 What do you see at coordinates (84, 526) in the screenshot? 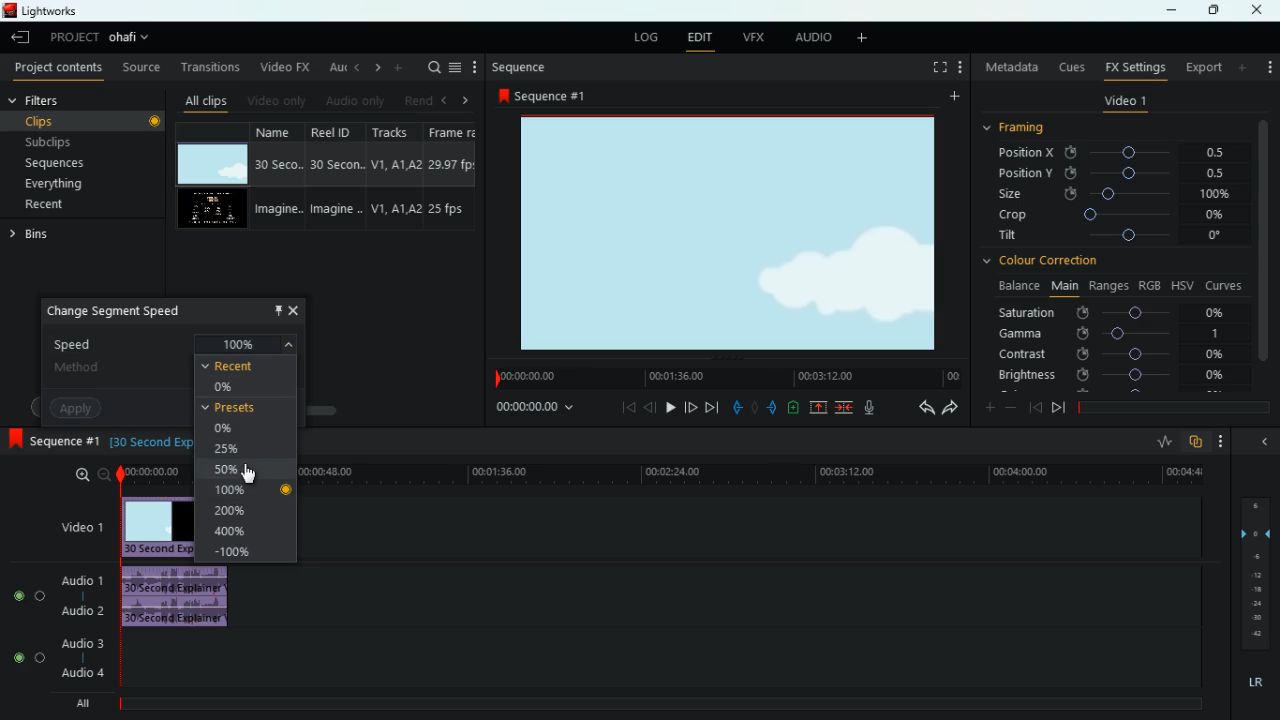
I see `video 1` at bounding box center [84, 526].